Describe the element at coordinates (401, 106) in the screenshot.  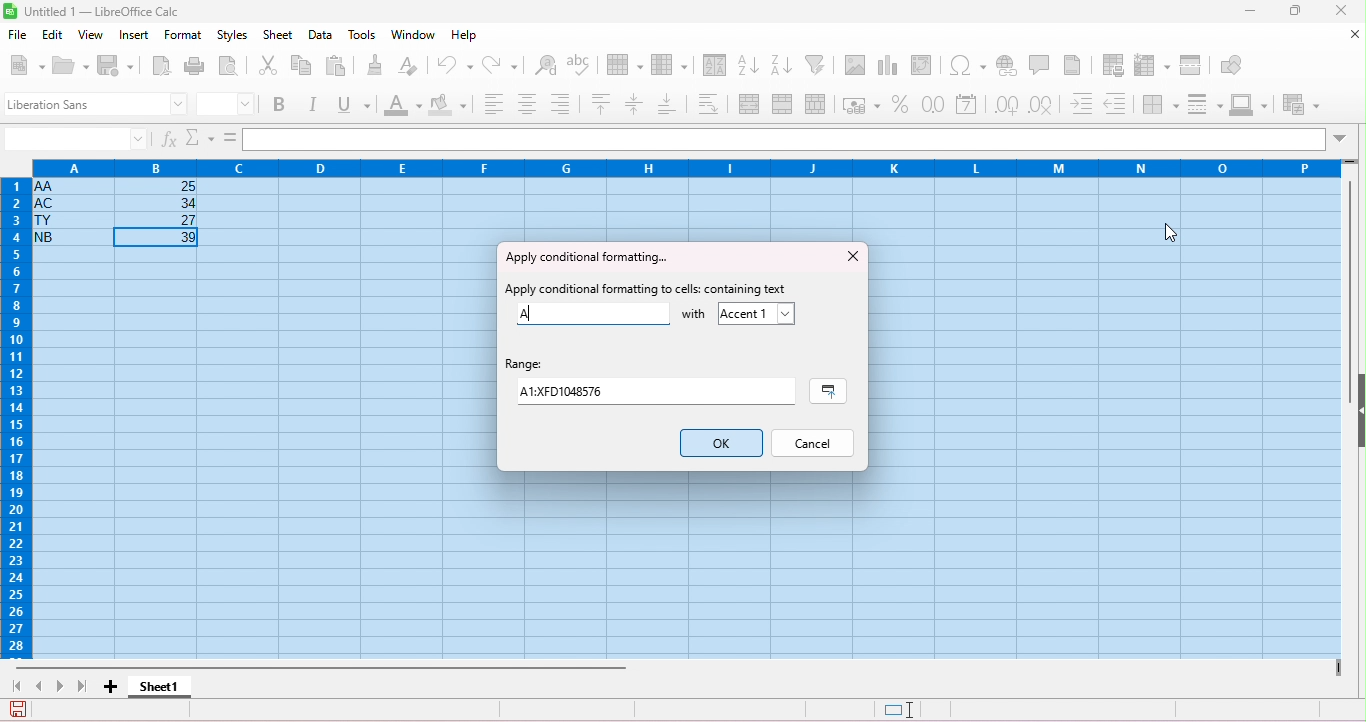
I see `font color` at that location.